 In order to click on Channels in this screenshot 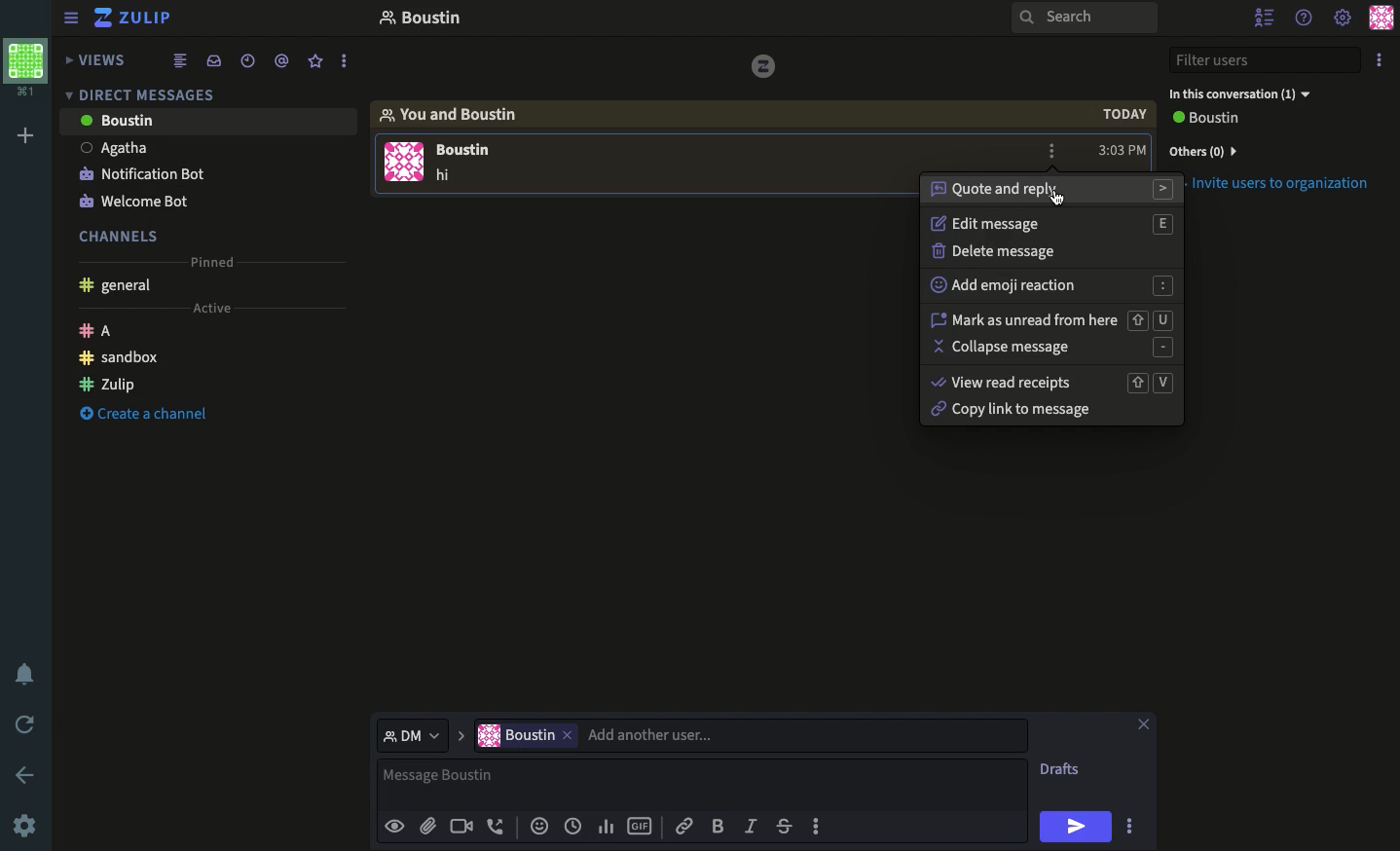, I will do `click(122, 234)`.